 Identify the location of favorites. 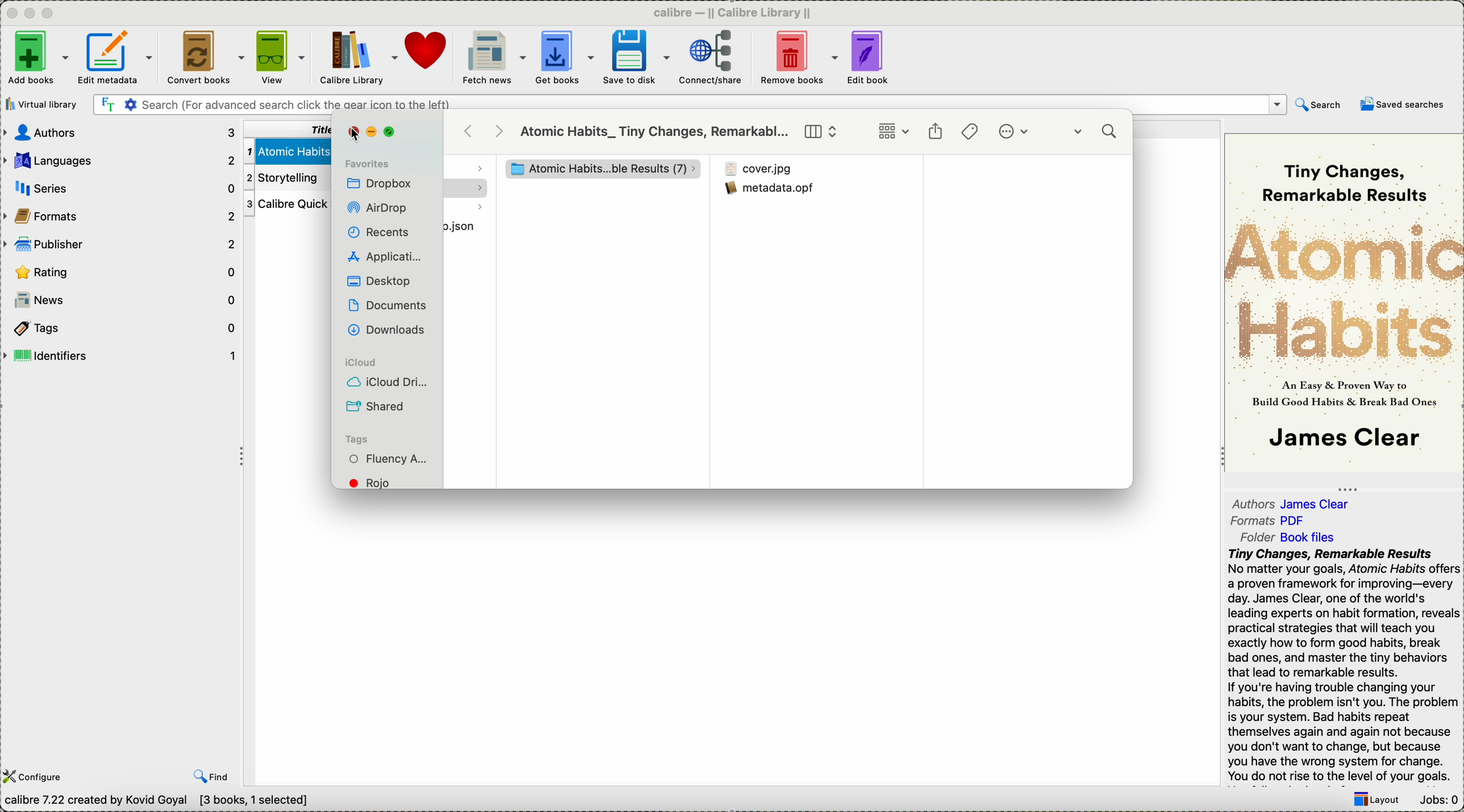
(367, 163).